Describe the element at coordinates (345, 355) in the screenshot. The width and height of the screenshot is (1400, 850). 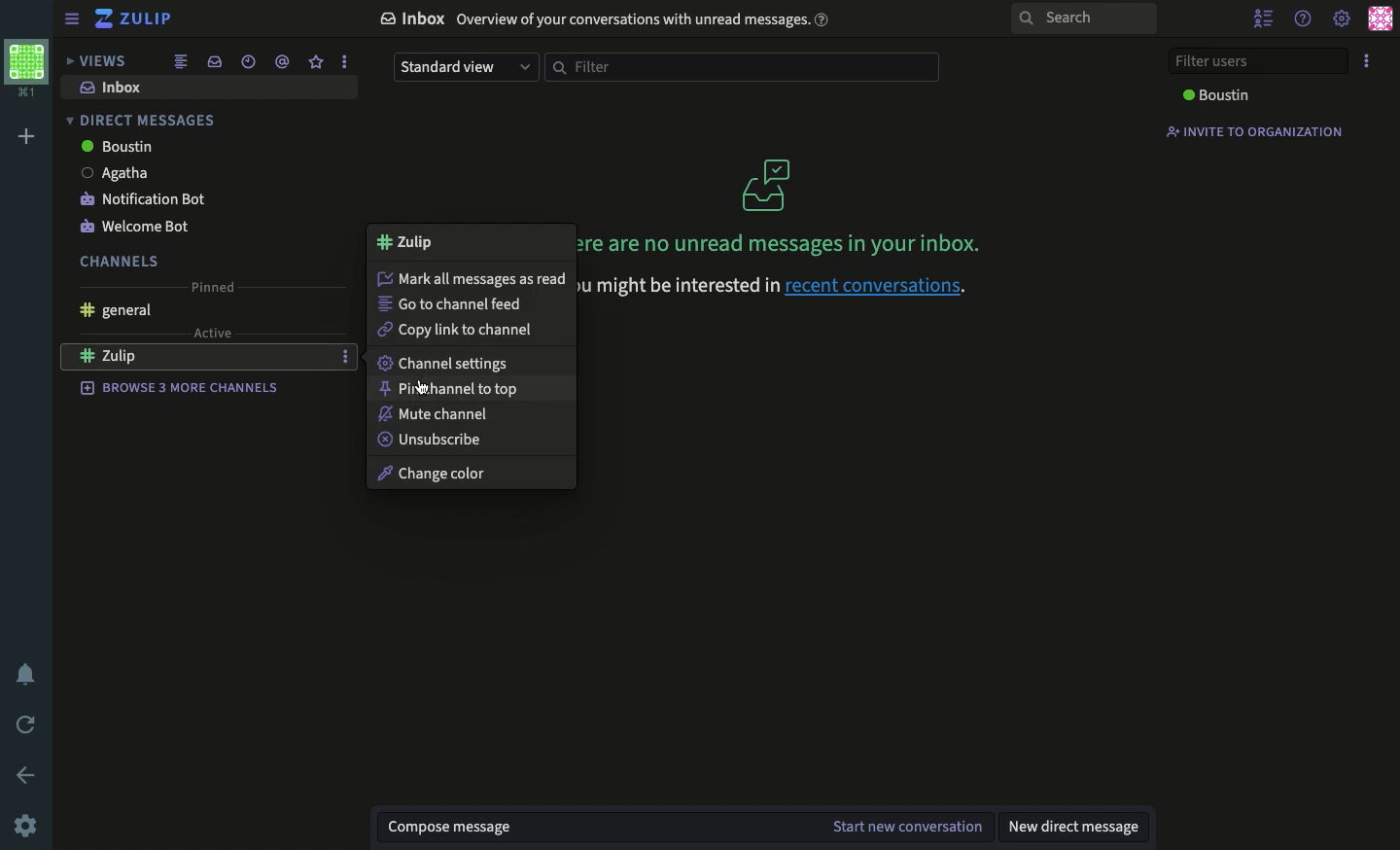
I see `options` at that location.